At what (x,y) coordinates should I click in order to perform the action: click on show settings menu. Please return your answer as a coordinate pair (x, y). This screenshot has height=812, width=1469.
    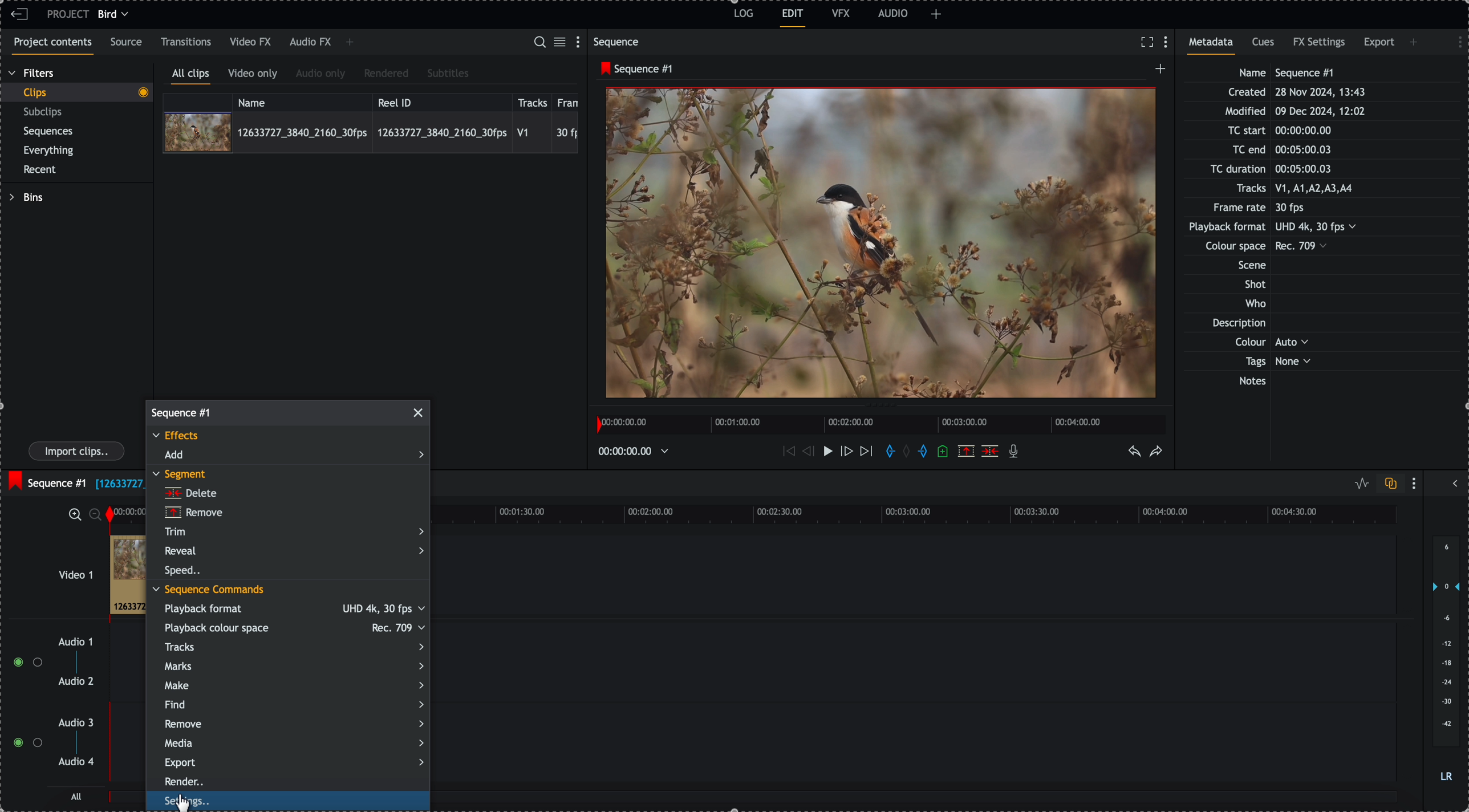
    Looking at the image, I should click on (581, 41).